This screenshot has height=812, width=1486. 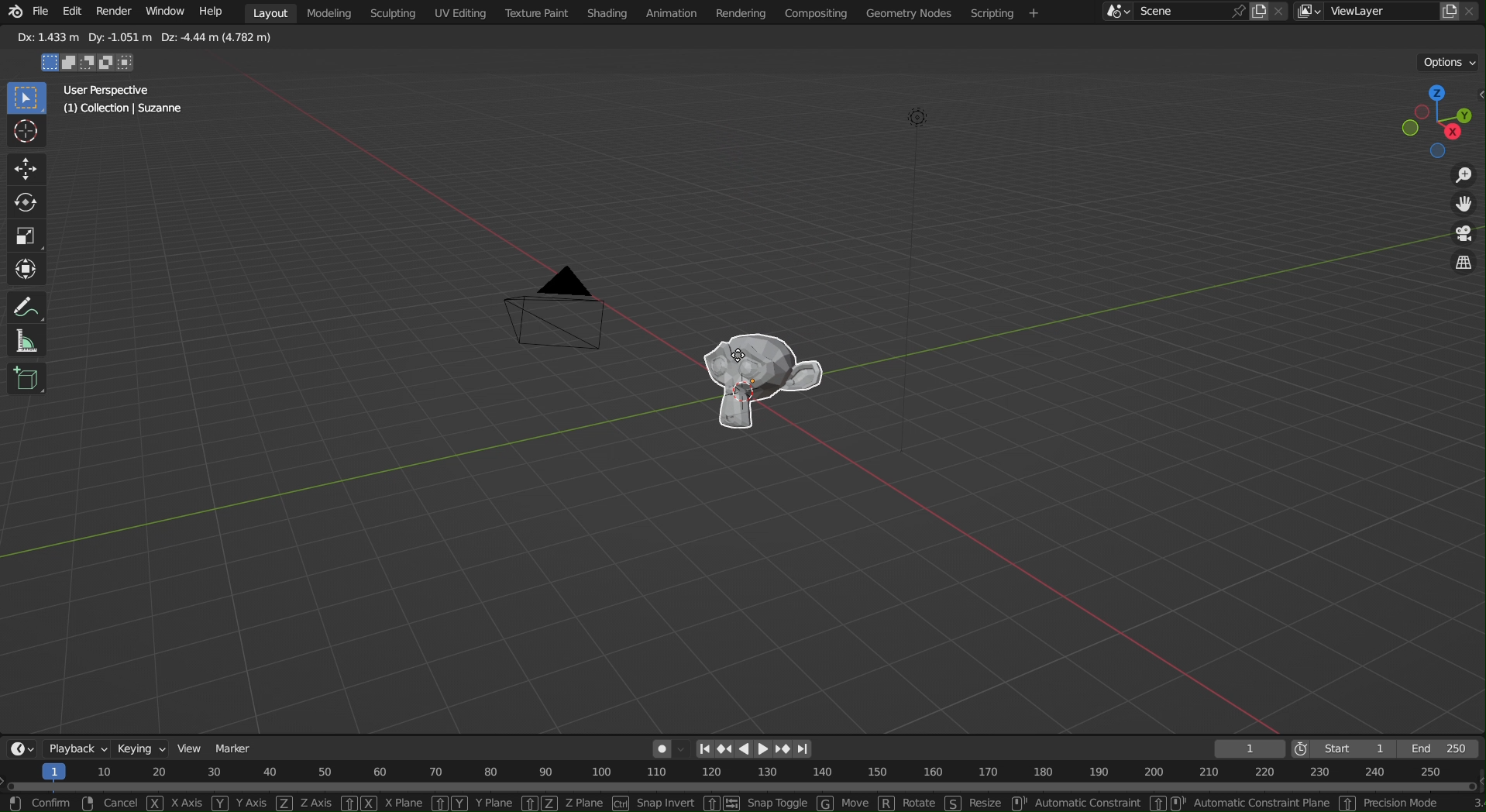 What do you see at coordinates (494, 804) in the screenshot?
I see `Y plane` at bounding box center [494, 804].